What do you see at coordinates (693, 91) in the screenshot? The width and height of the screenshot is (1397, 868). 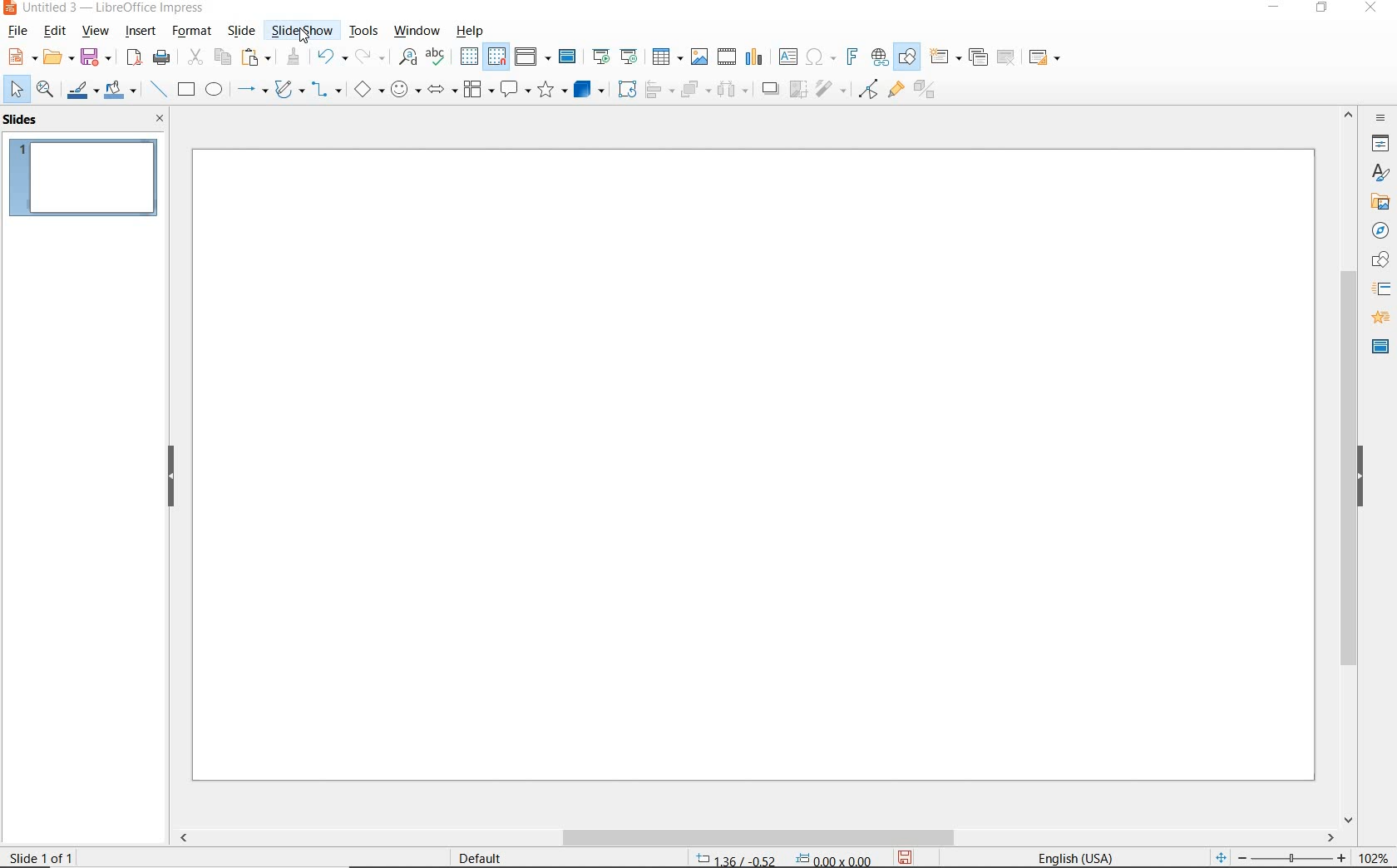 I see `ARRANGE` at bounding box center [693, 91].